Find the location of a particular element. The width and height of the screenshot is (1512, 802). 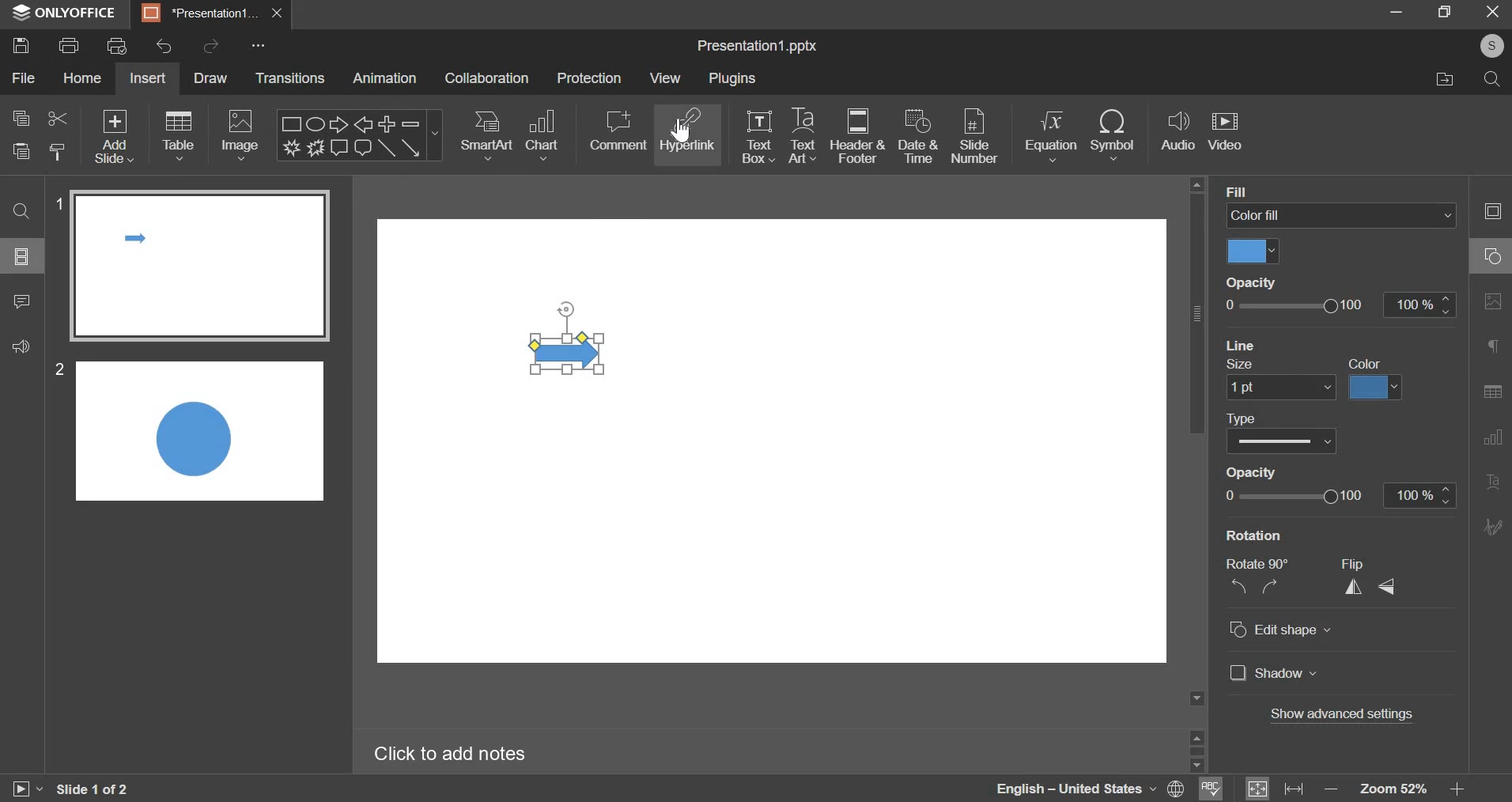

Explosion 1 is located at coordinates (290, 147).